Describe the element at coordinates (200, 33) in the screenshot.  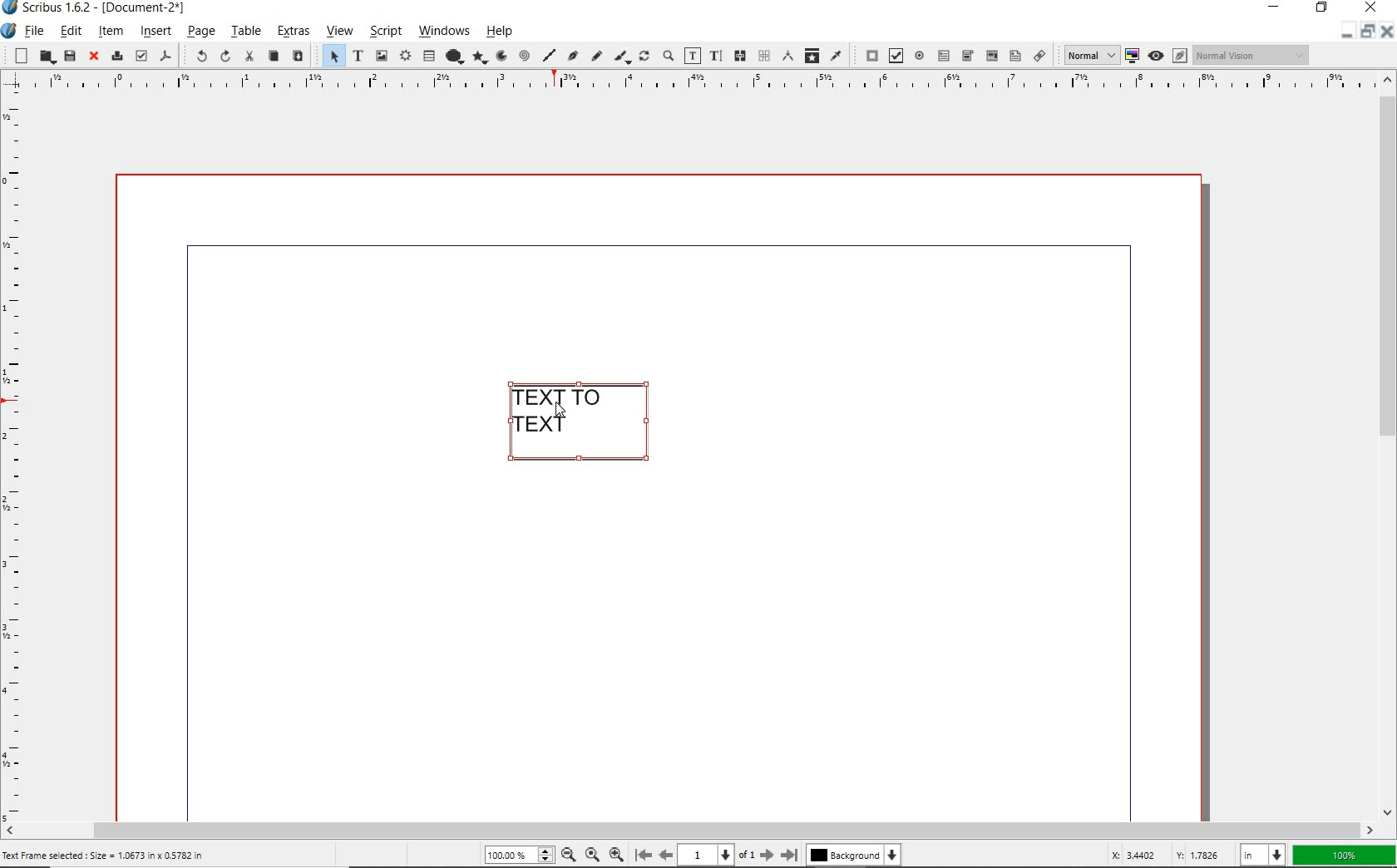
I see `page` at that location.